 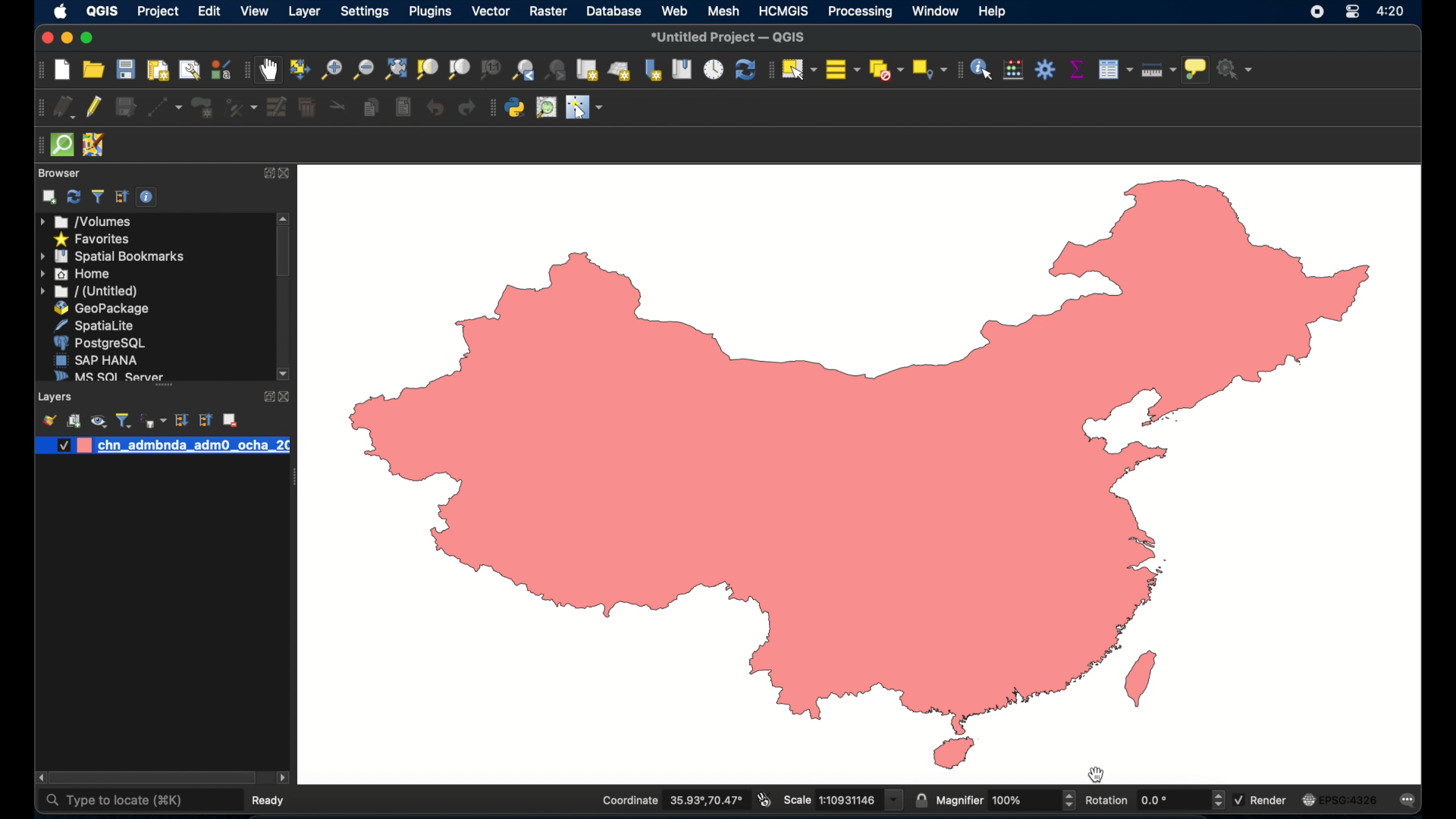 I want to click on enable/disbale properties widget, so click(x=149, y=197).